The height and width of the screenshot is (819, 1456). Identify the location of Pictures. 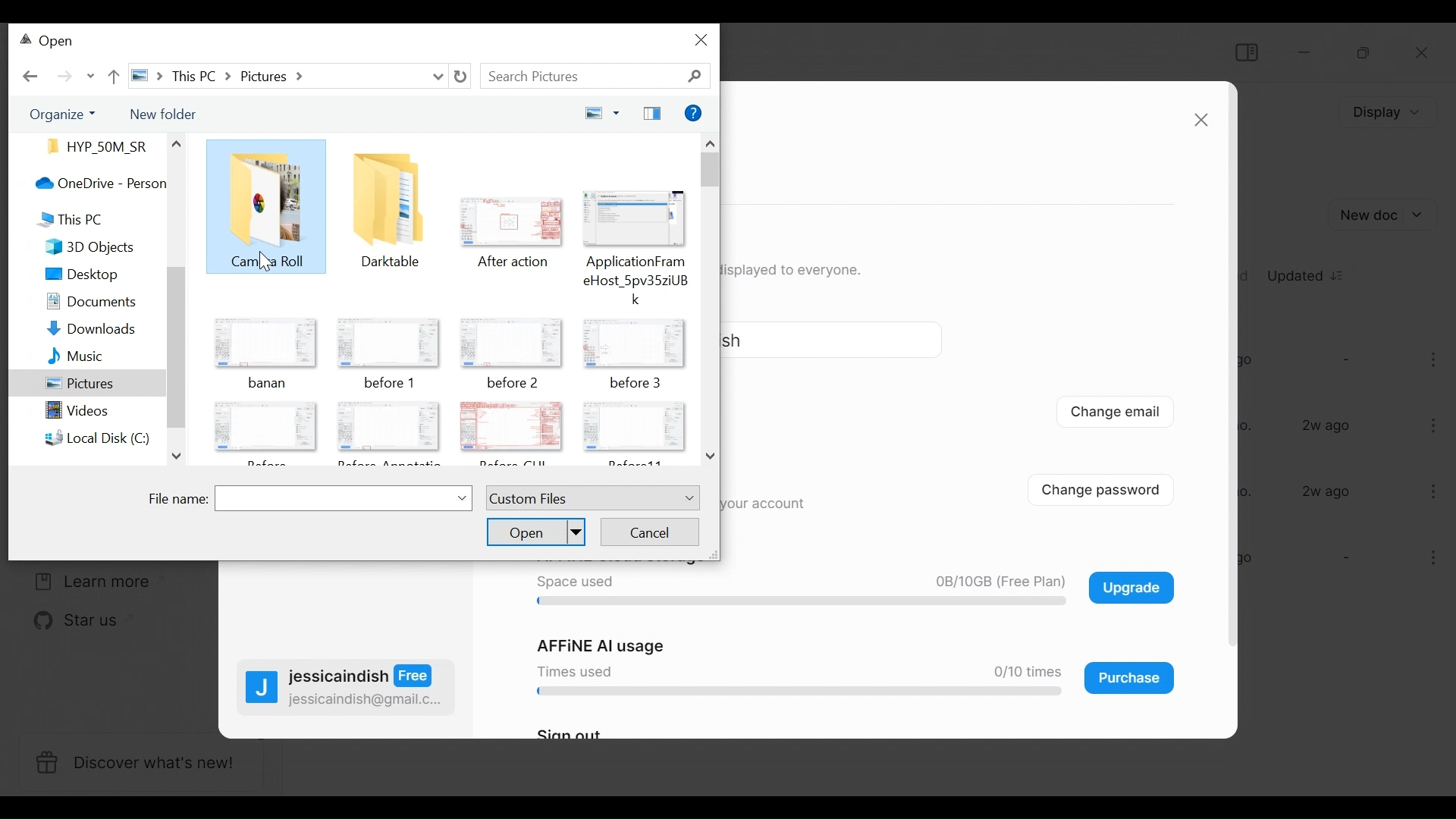
(78, 386).